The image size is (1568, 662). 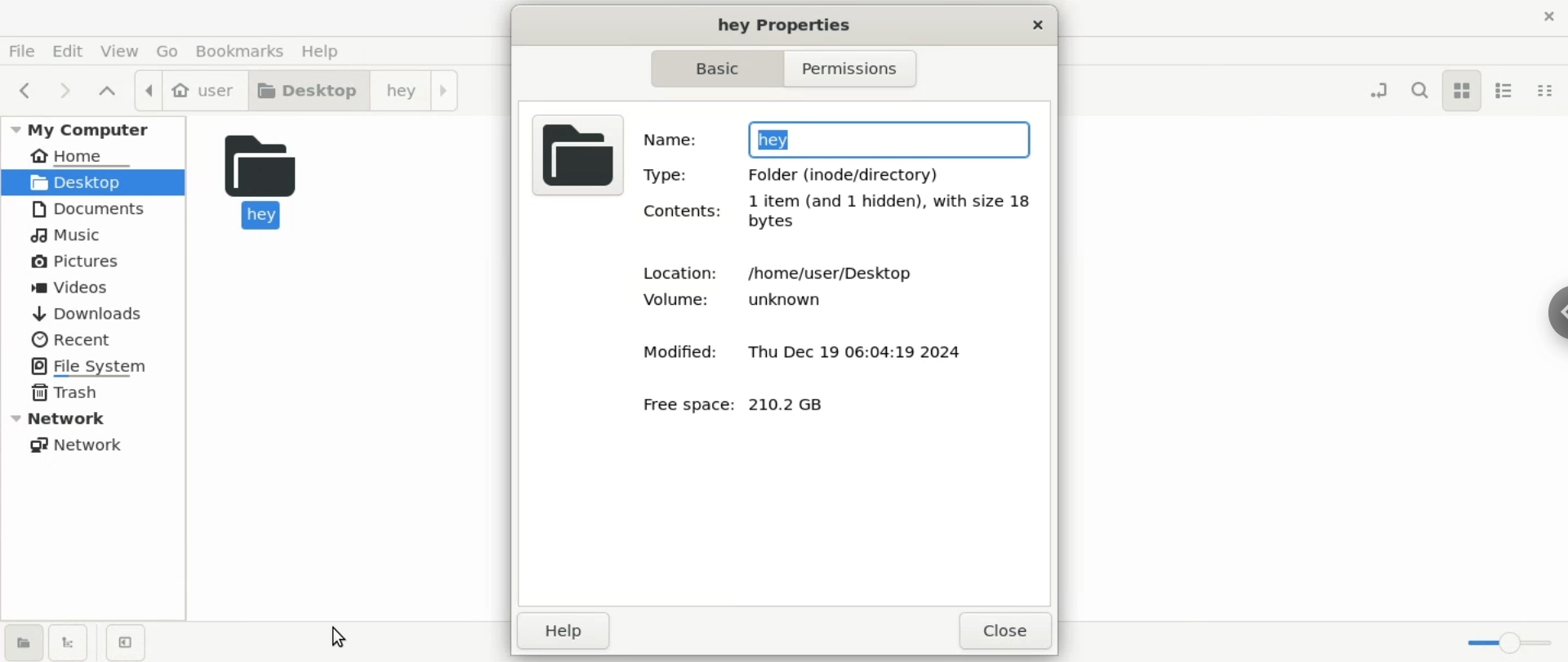 What do you see at coordinates (124, 643) in the screenshot?
I see `close sidebar` at bounding box center [124, 643].